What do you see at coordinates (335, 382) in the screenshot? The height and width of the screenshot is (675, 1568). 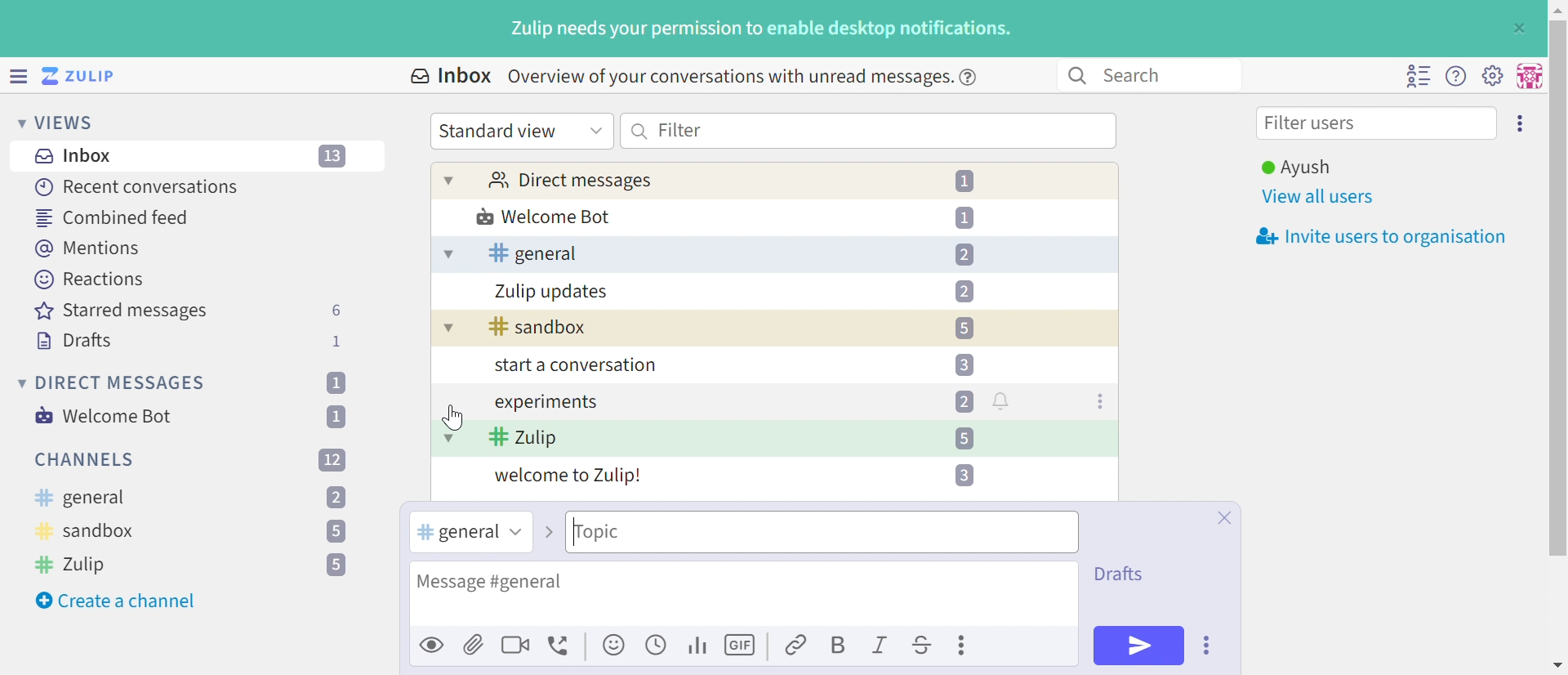 I see `1` at bounding box center [335, 382].